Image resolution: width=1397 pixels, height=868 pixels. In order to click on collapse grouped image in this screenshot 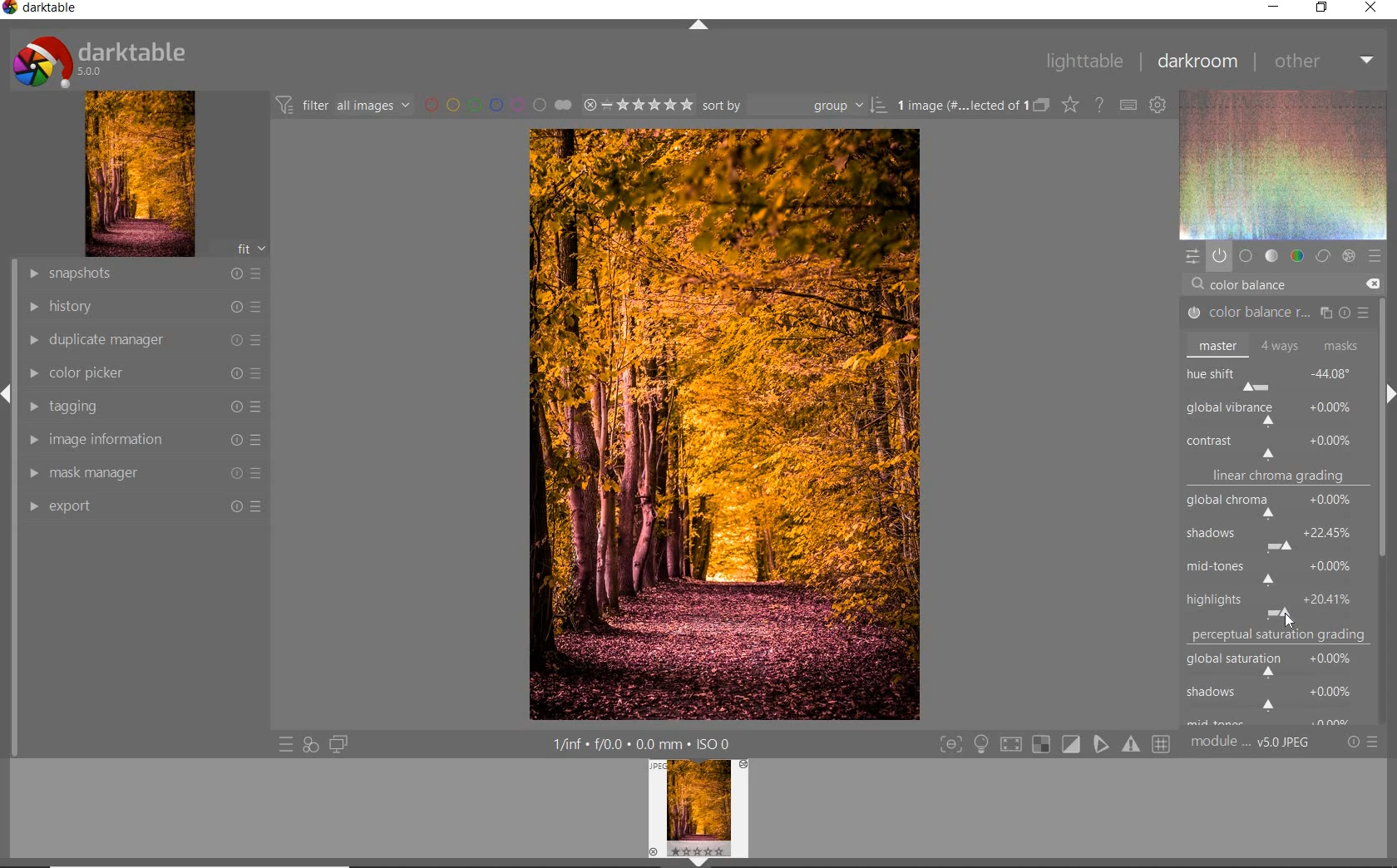, I will do `click(1041, 106)`.